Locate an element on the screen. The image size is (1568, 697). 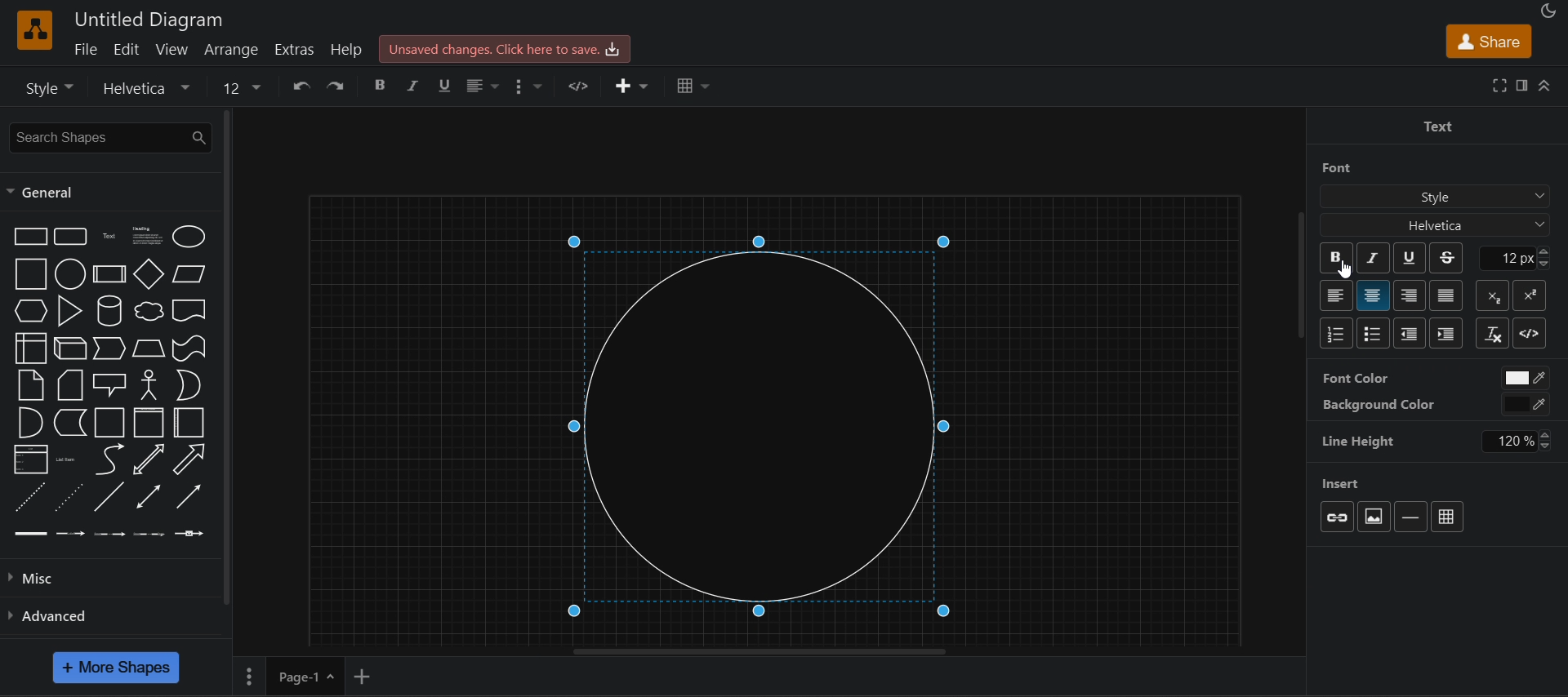
add new page is located at coordinates (363, 678).